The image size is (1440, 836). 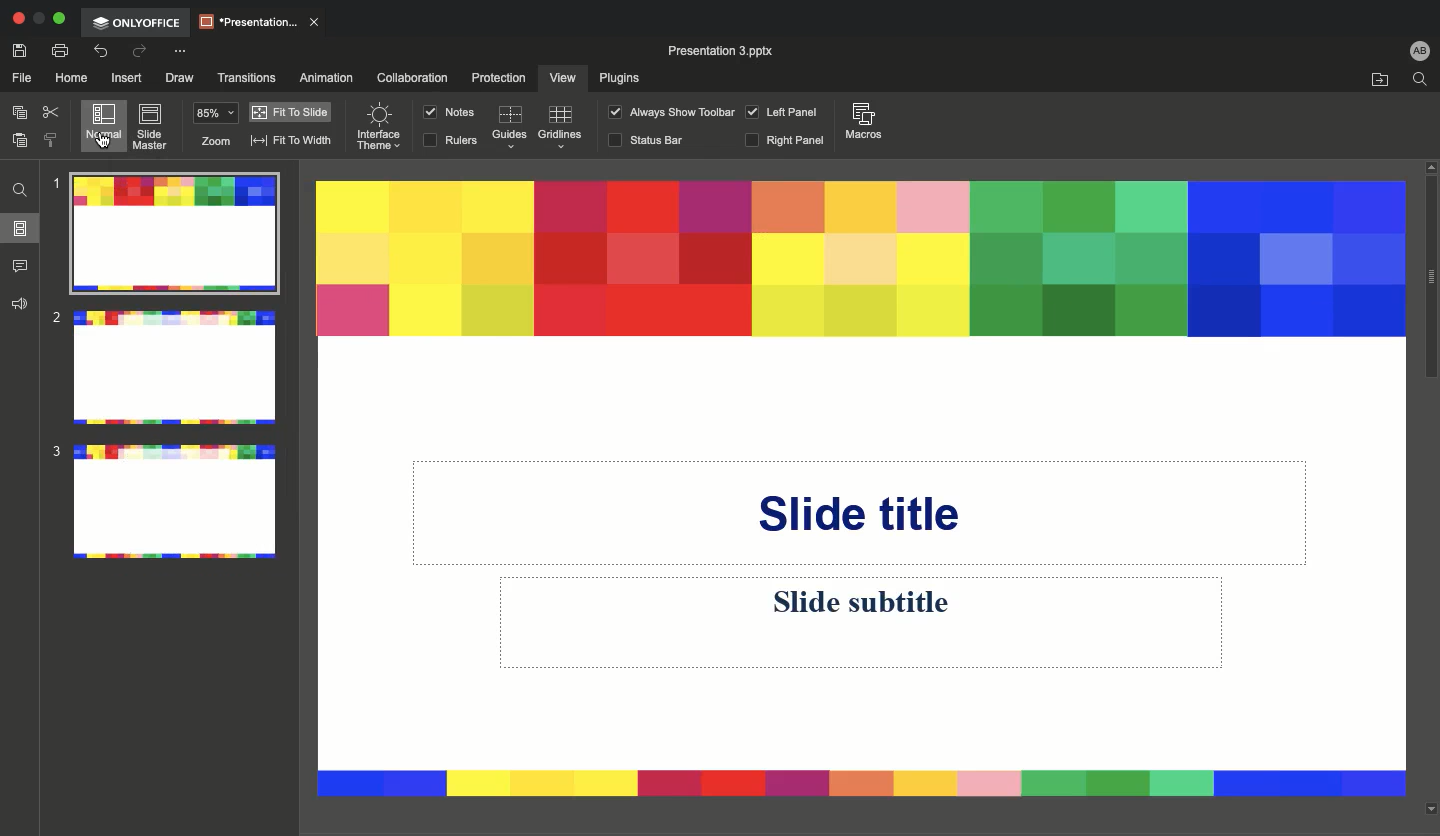 I want to click on Macros, so click(x=864, y=122).